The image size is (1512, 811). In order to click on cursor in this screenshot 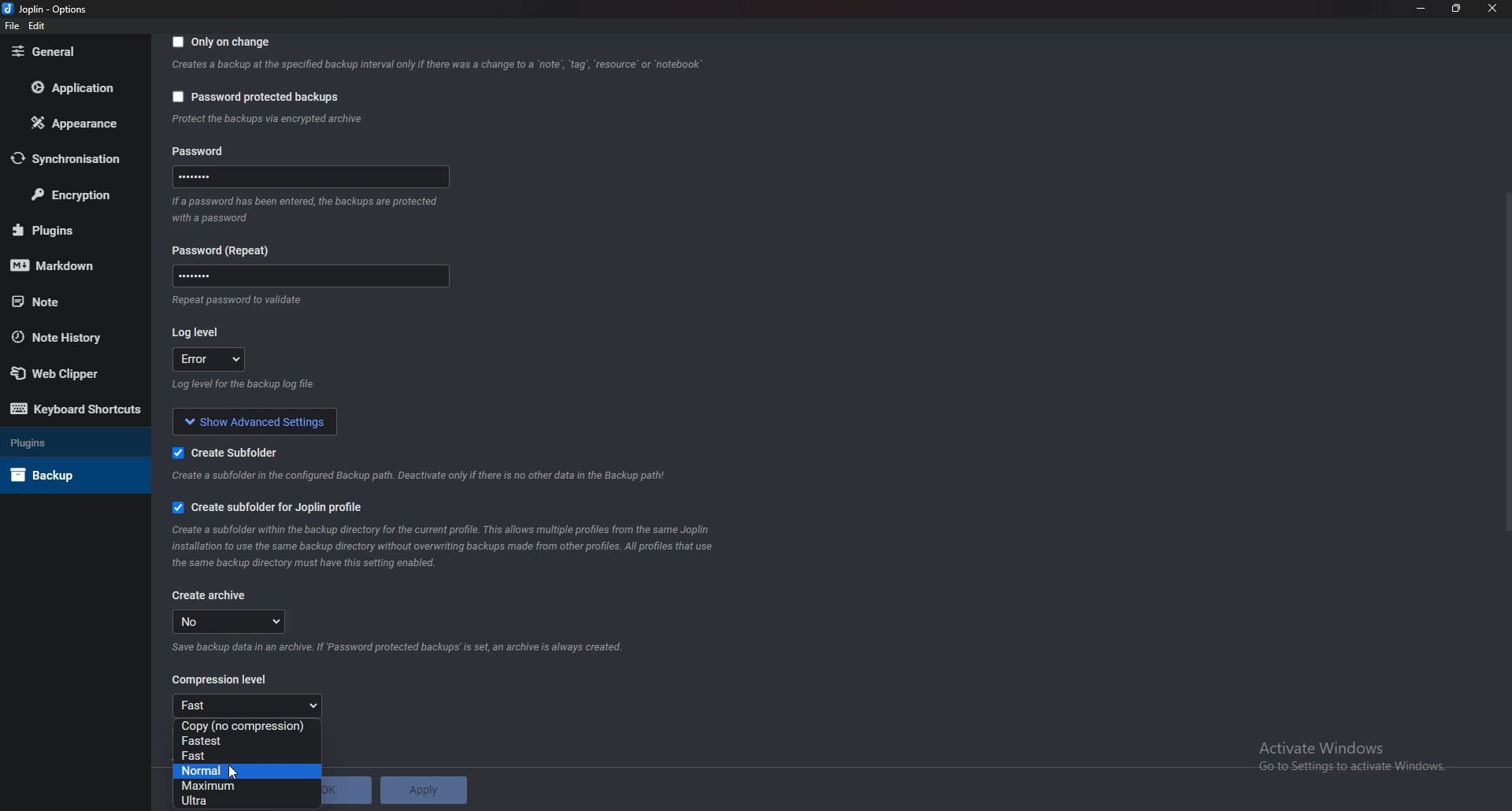, I will do `click(234, 772)`.